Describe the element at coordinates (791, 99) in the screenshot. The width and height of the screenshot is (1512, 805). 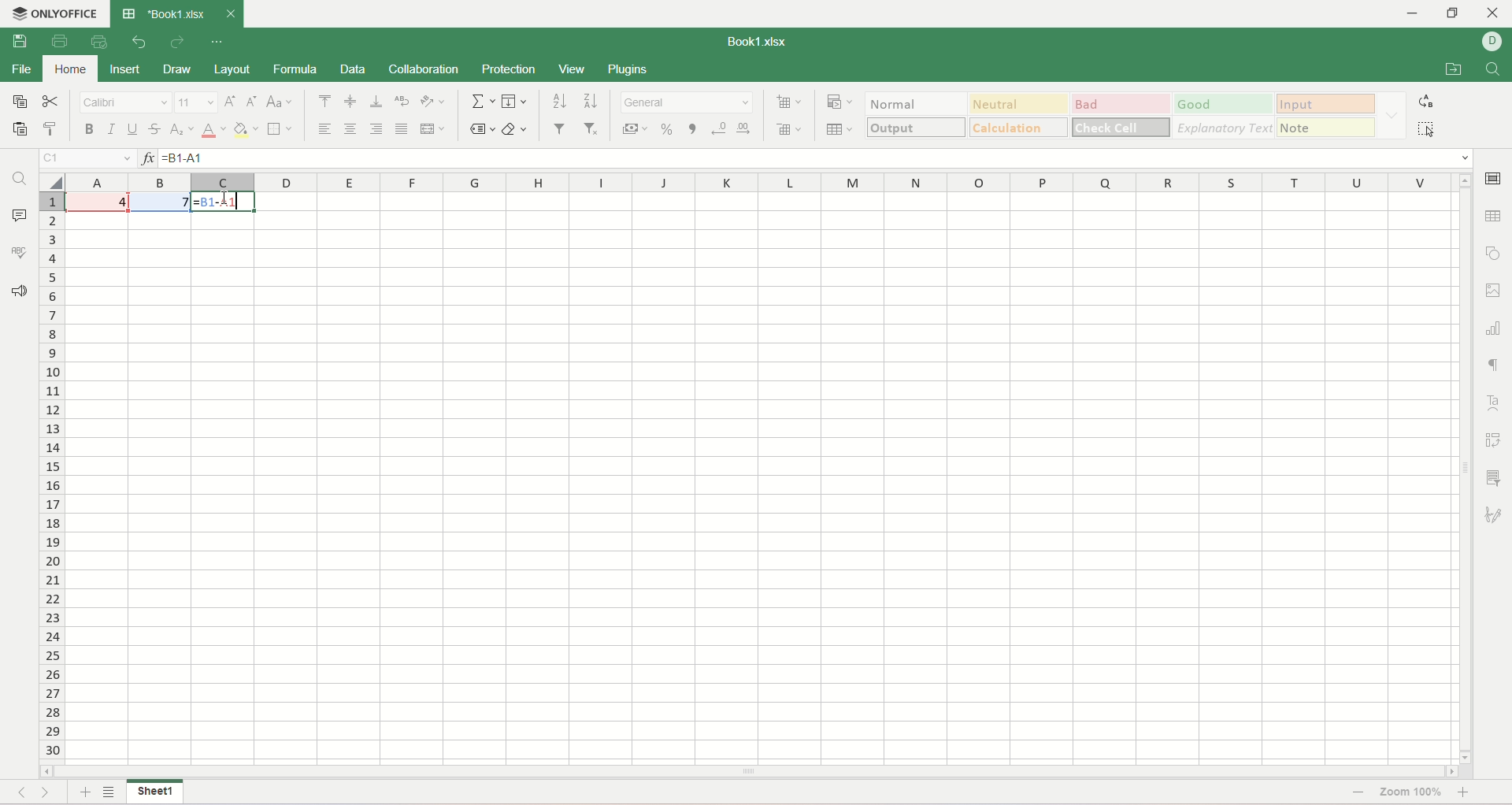
I see `insert cell` at that location.